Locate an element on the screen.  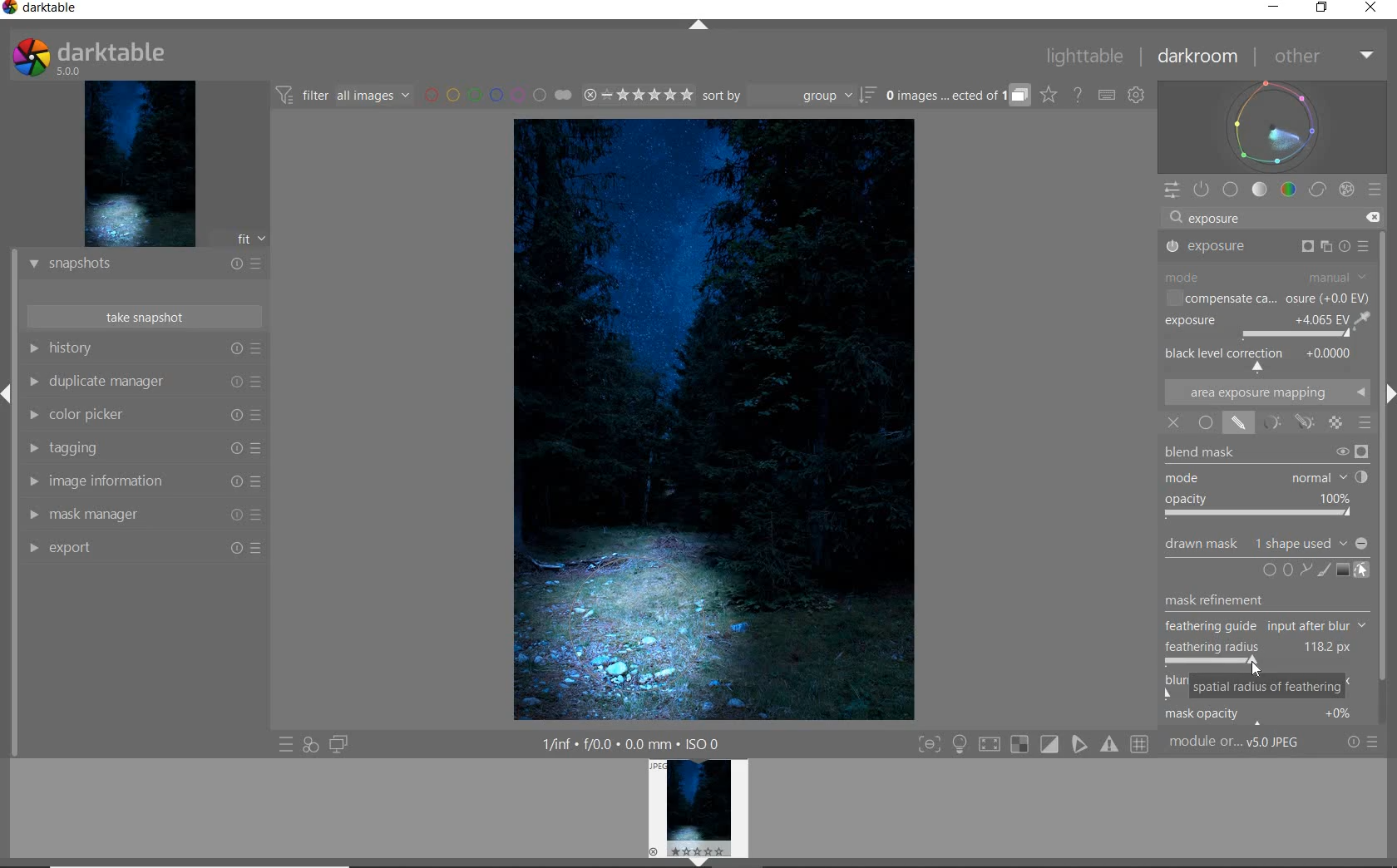
IMAGE PREVIEW is located at coordinates (141, 162).